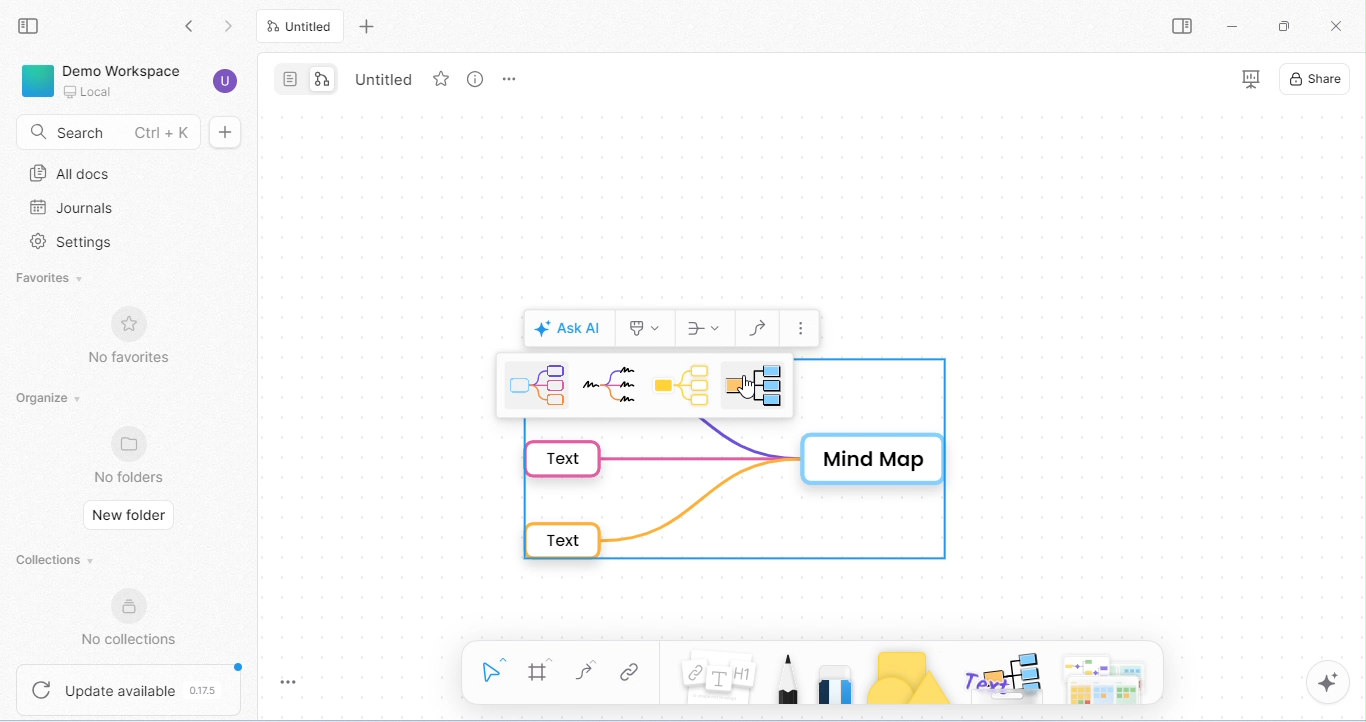 The width and height of the screenshot is (1366, 722). Describe the element at coordinates (73, 241) in the screenshot. I see `settings` at that location.